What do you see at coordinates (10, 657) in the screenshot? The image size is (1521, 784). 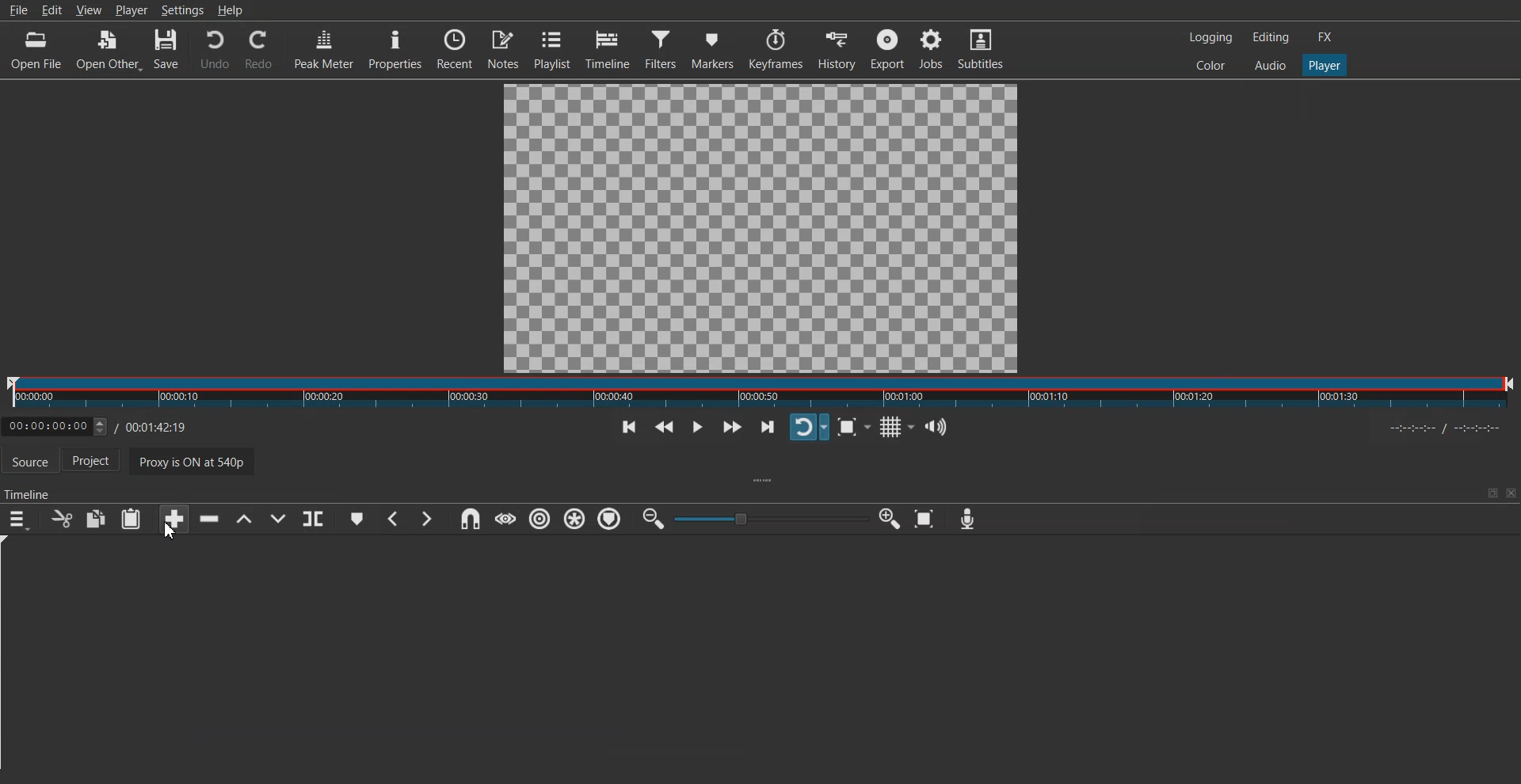 I see `Playhead marker` at bounding box center [10, 657].